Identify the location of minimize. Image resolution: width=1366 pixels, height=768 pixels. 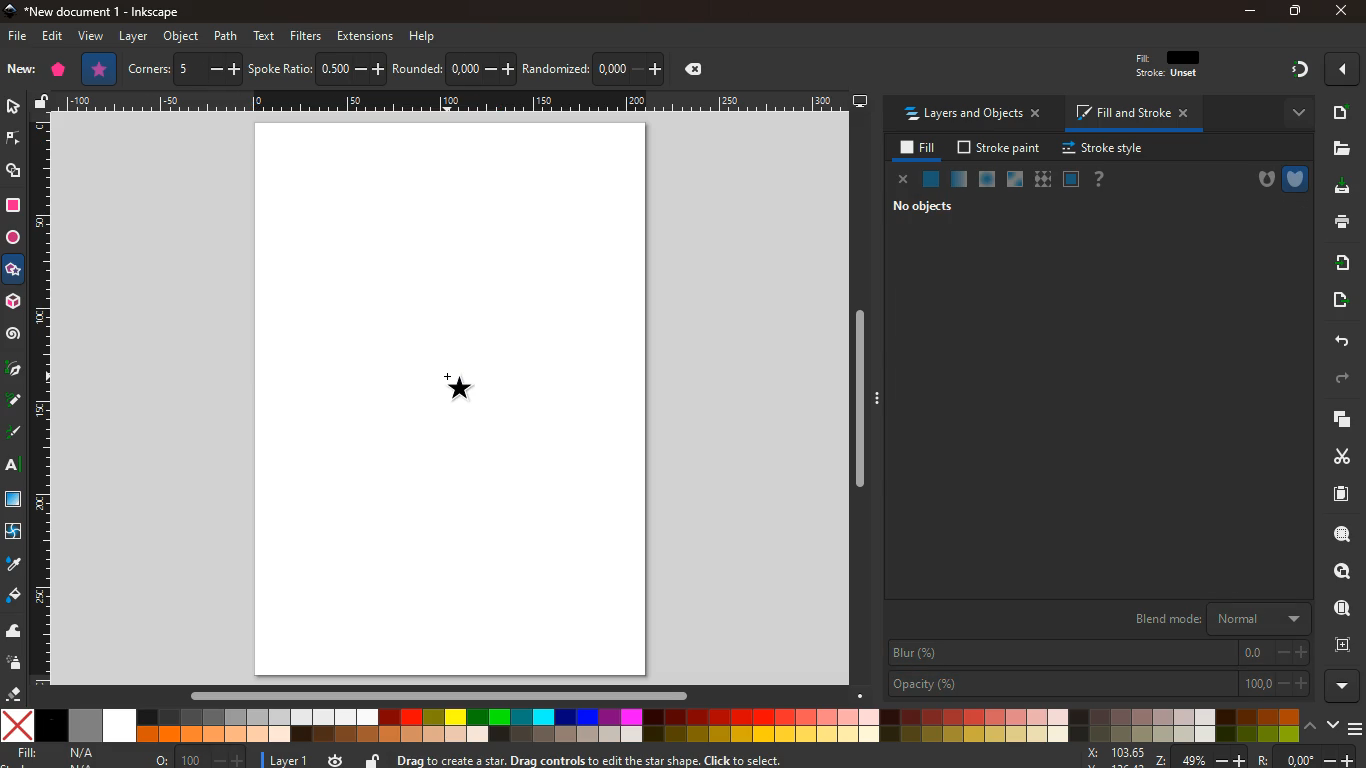
(1251, 12).